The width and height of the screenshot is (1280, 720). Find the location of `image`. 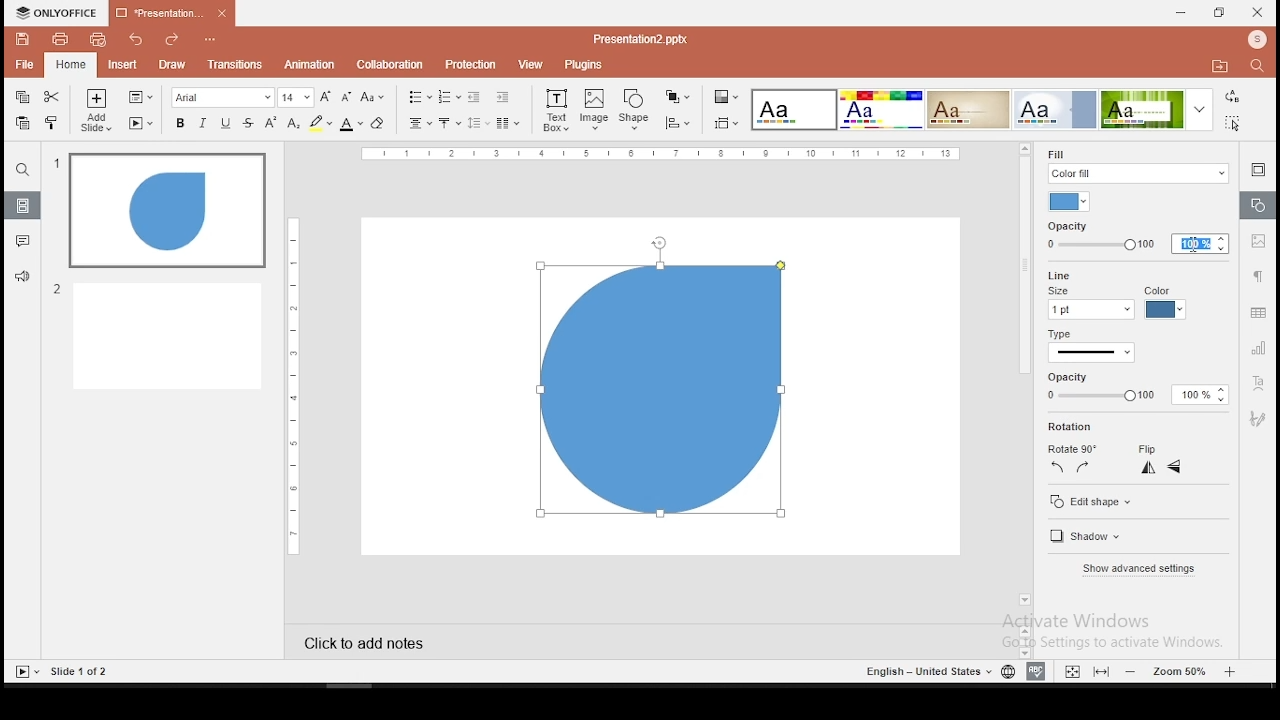

image is located at coordinates (595, 110).